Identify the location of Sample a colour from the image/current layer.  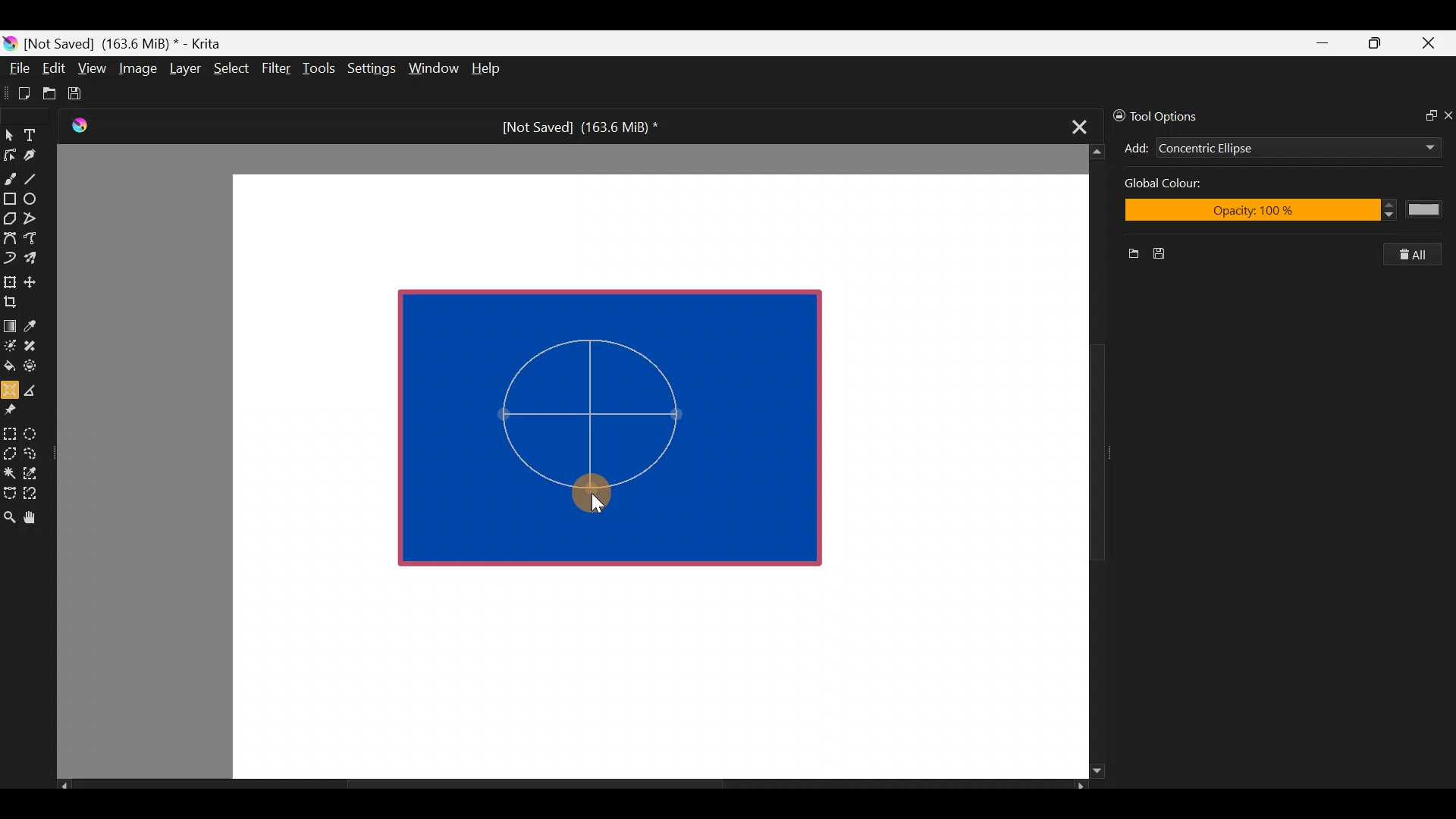
(36, 324).